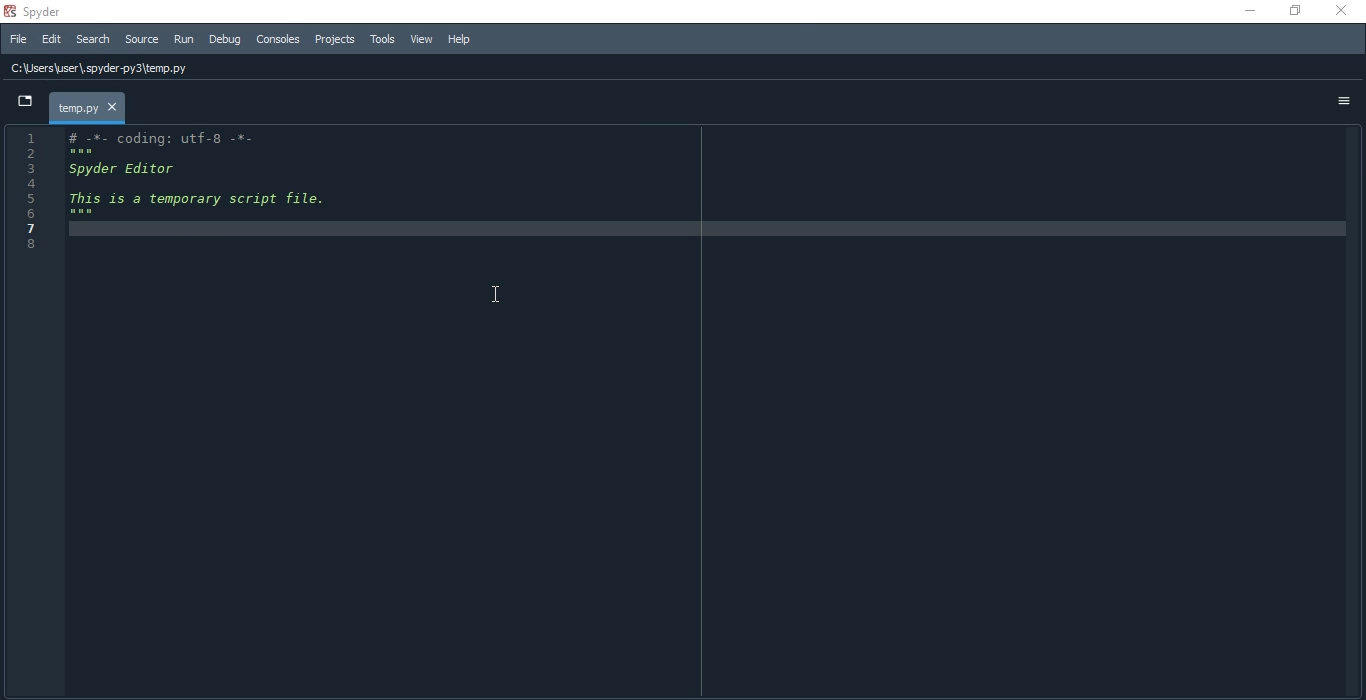  Describe the element at coordinates (224, 39) in the screenshot. I see `Debug` at that location.